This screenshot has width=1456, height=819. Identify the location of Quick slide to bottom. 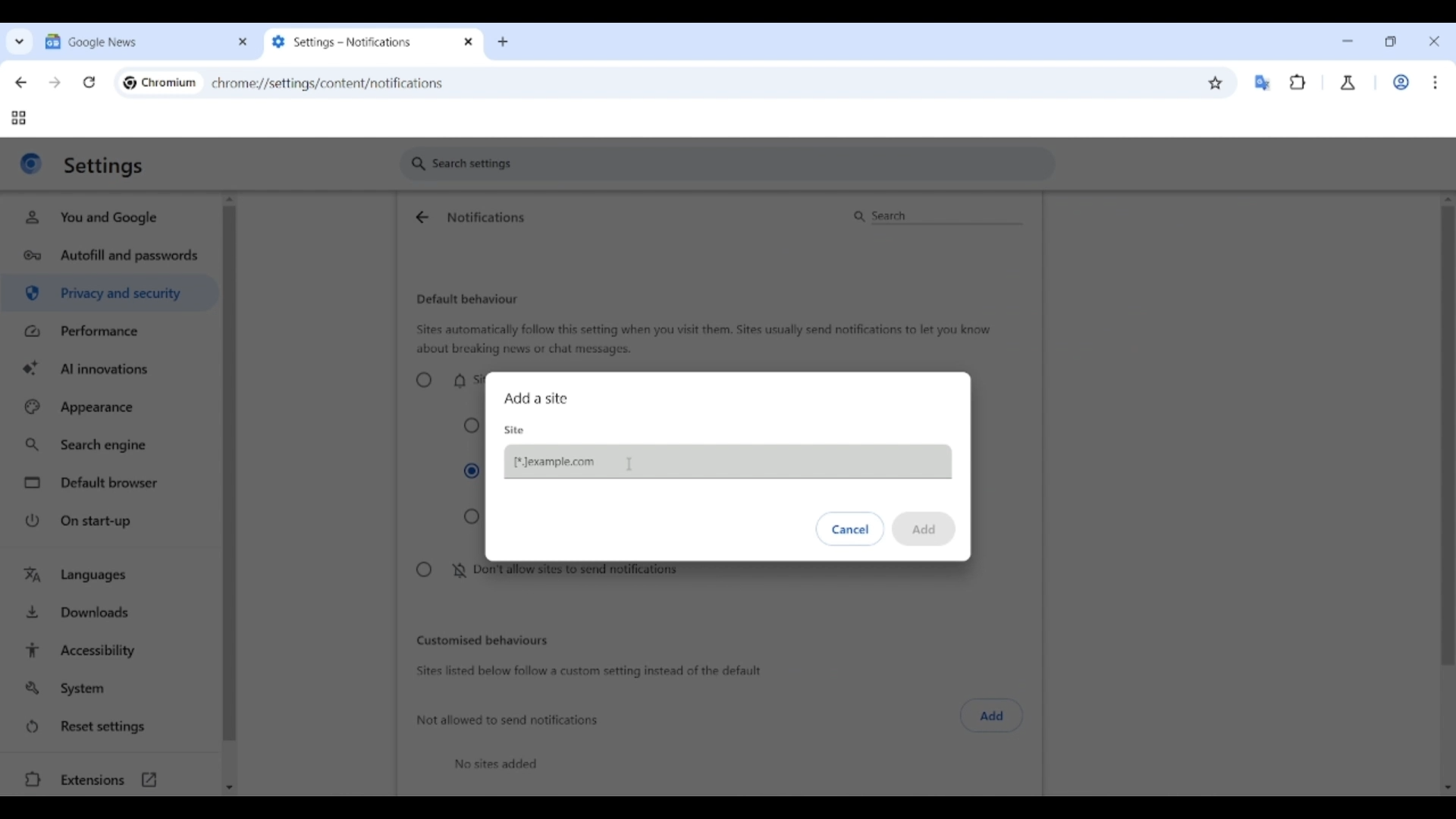
(229, 788).